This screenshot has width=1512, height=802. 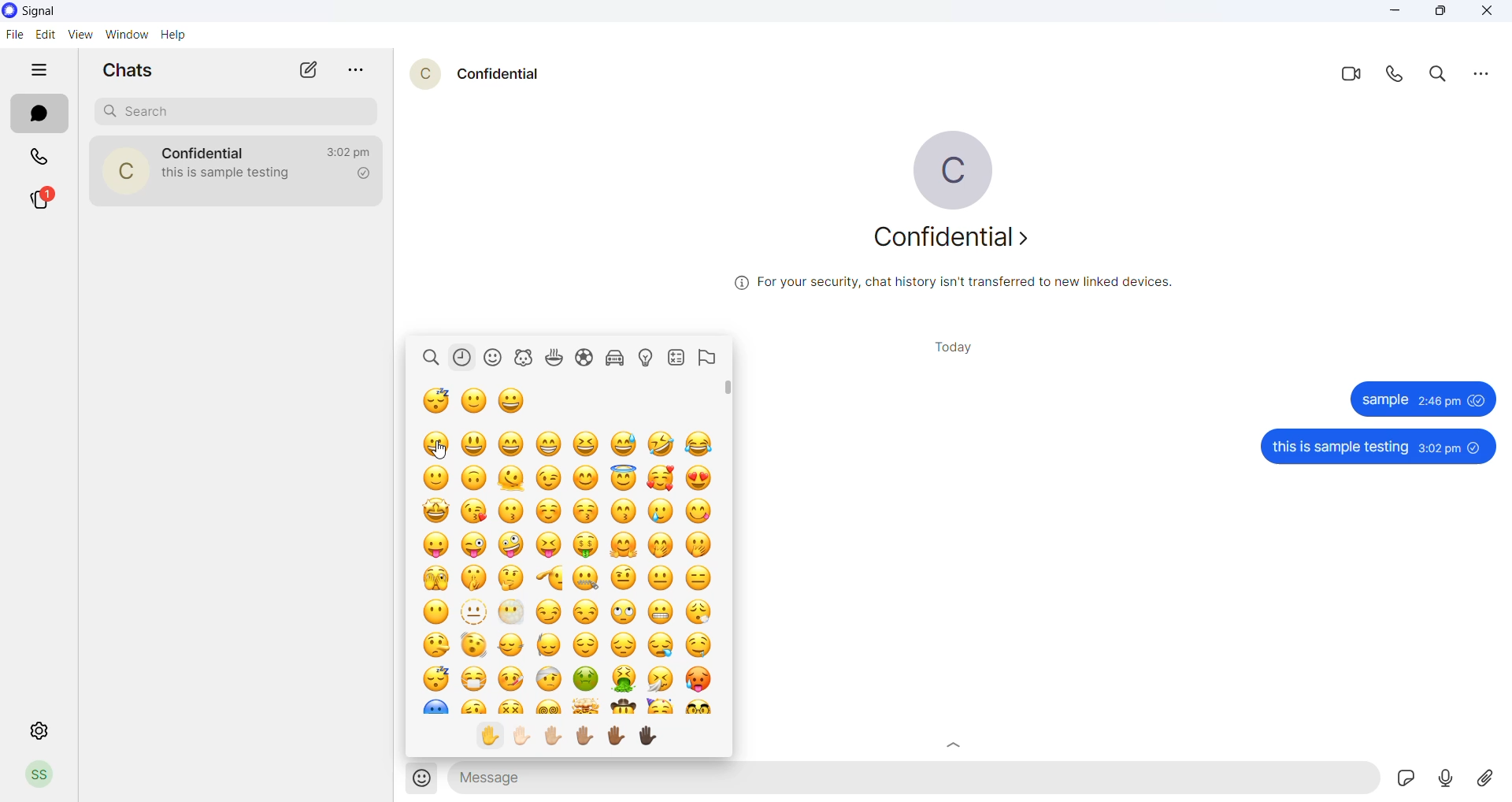 I want to click on this is sample testing, so click(x=1340, y=448).